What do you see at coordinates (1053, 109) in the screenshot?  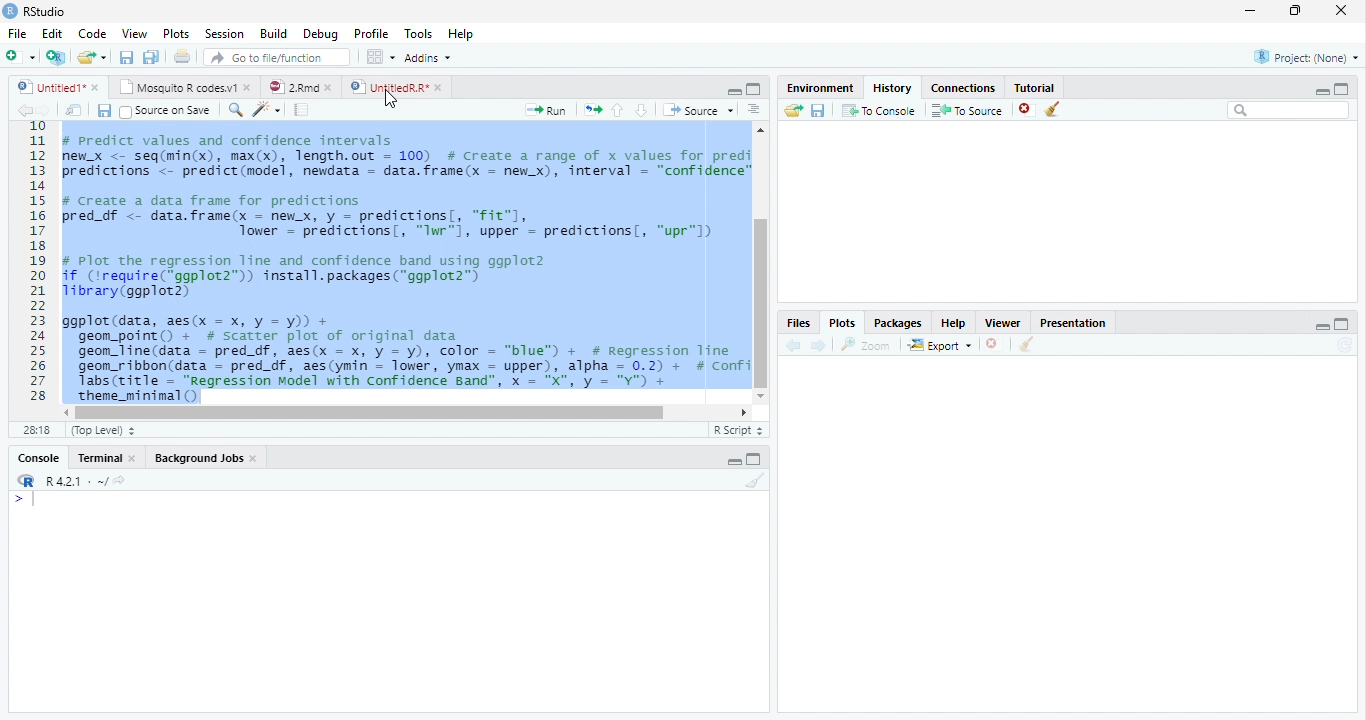 I see `Clear Console` at bounding box center [1053, 109].